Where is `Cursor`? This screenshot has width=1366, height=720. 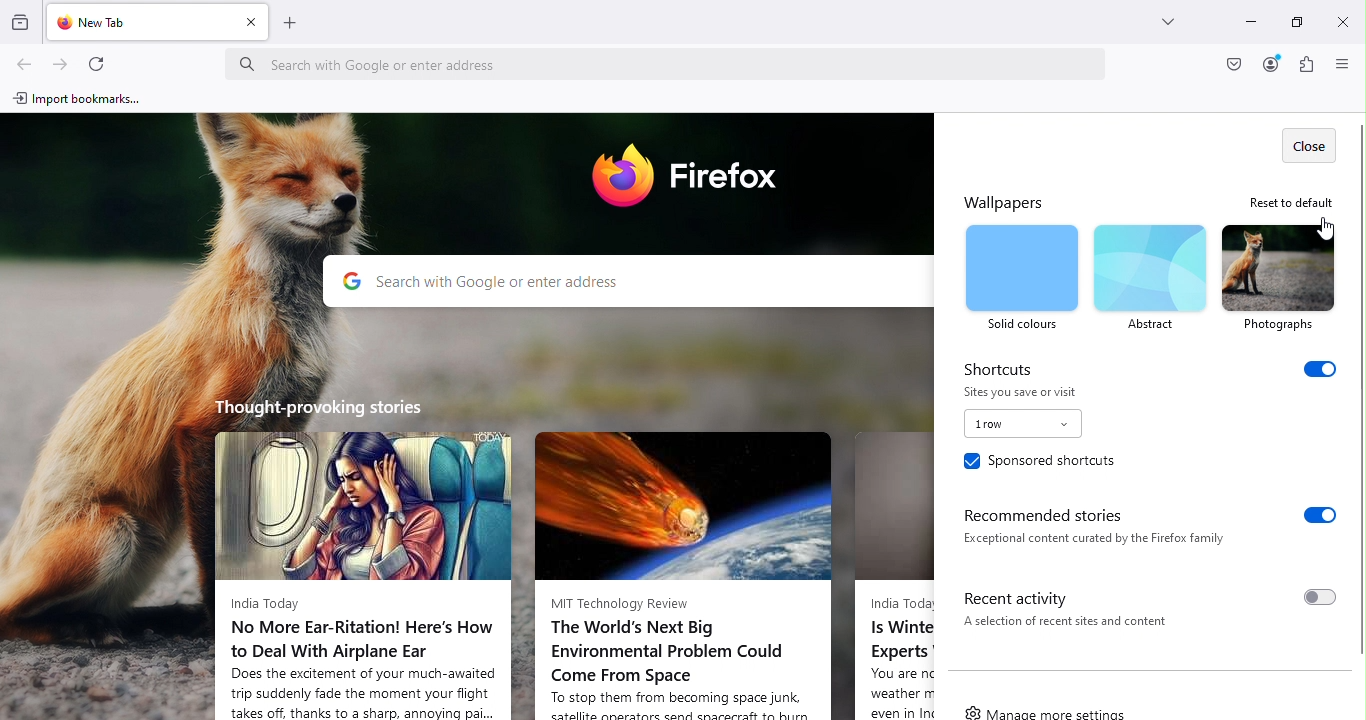 Cursor is located at coordinates (1323, 235).